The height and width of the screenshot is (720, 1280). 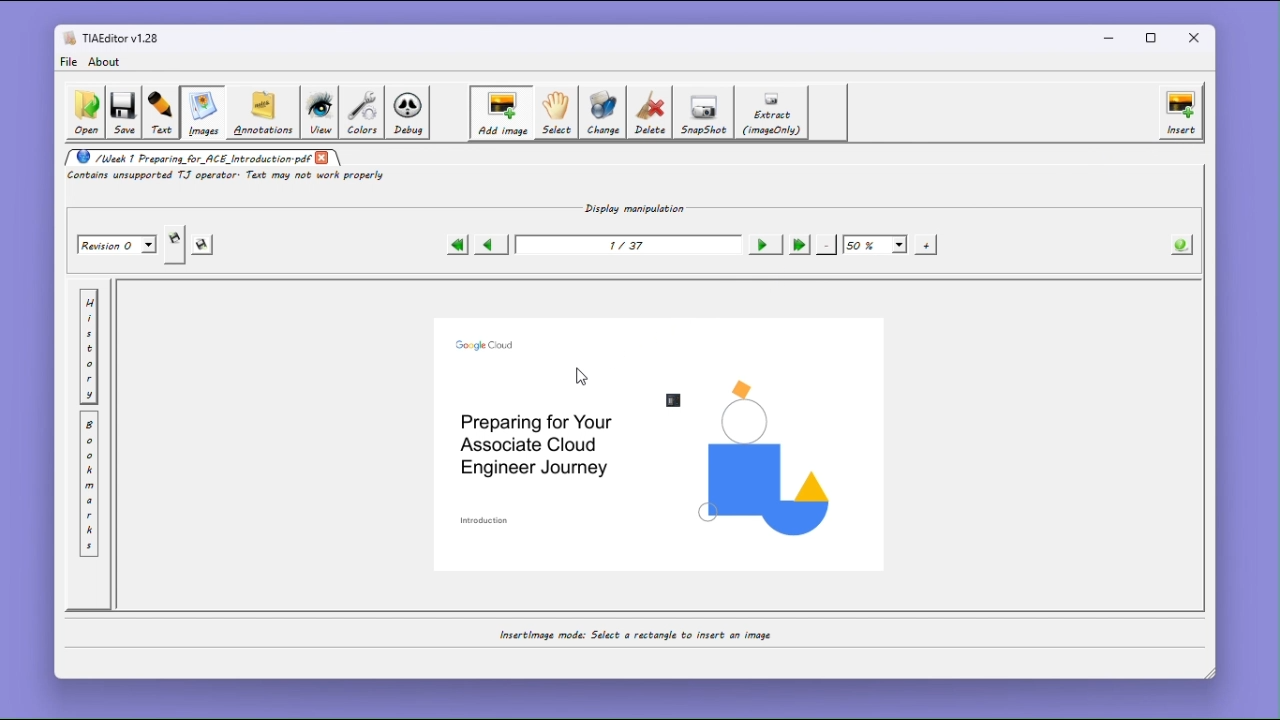 What do you see at coordinates (486, 344) in the screenshot?
I see `google cloud` at bounding box center [486, 344].